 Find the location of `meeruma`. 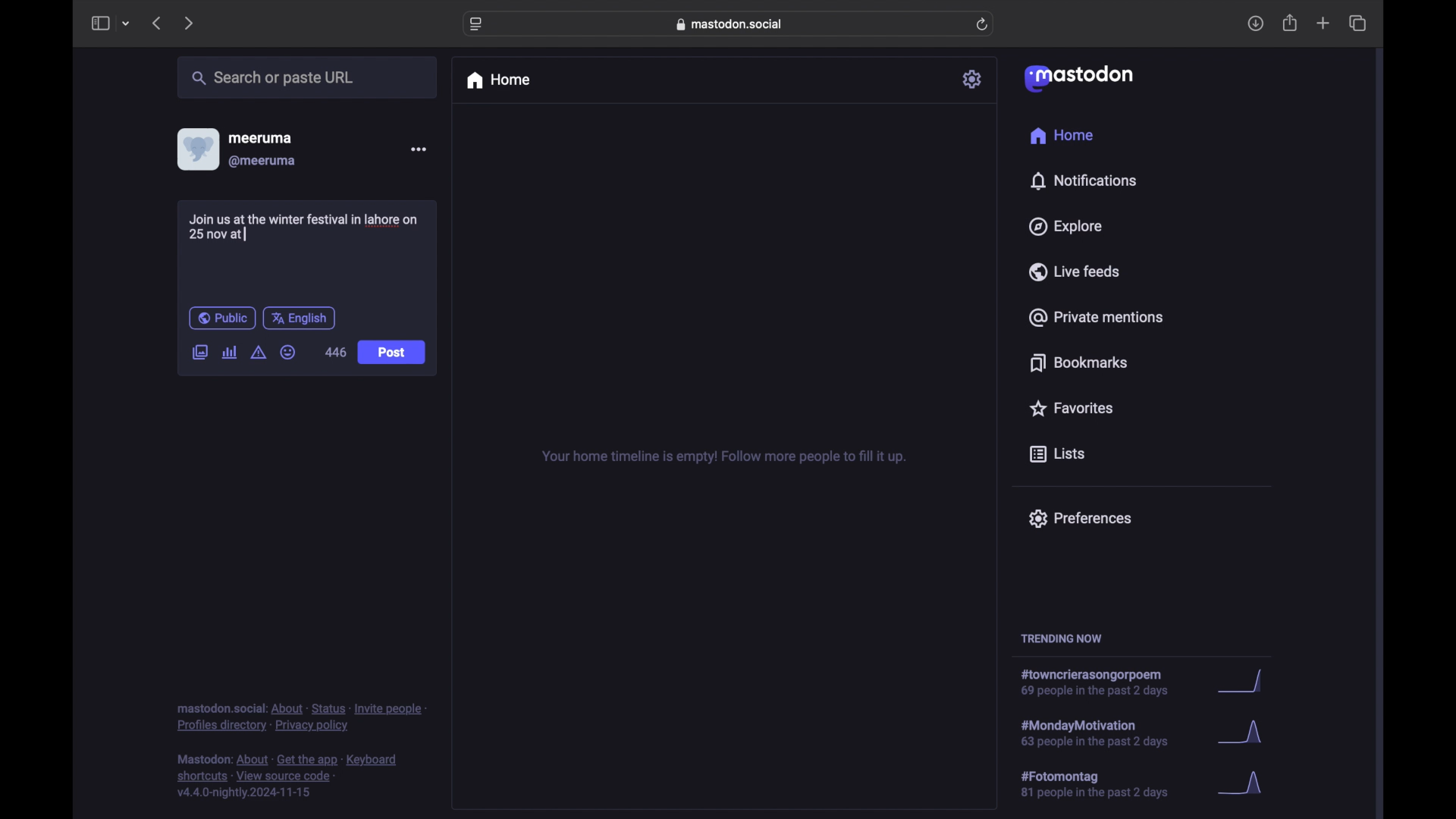

meeruma is located at coordinates (260, 137).